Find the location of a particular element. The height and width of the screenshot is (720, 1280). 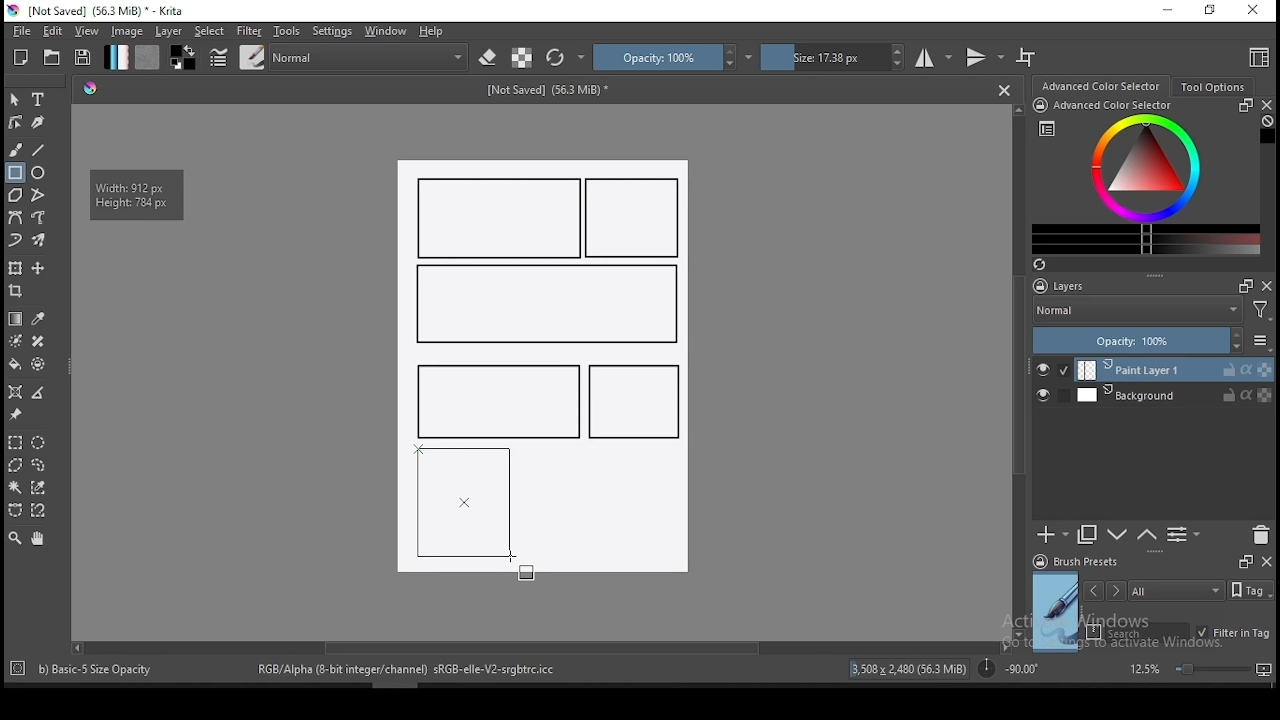

brushes is located at coordinates (252, 57).